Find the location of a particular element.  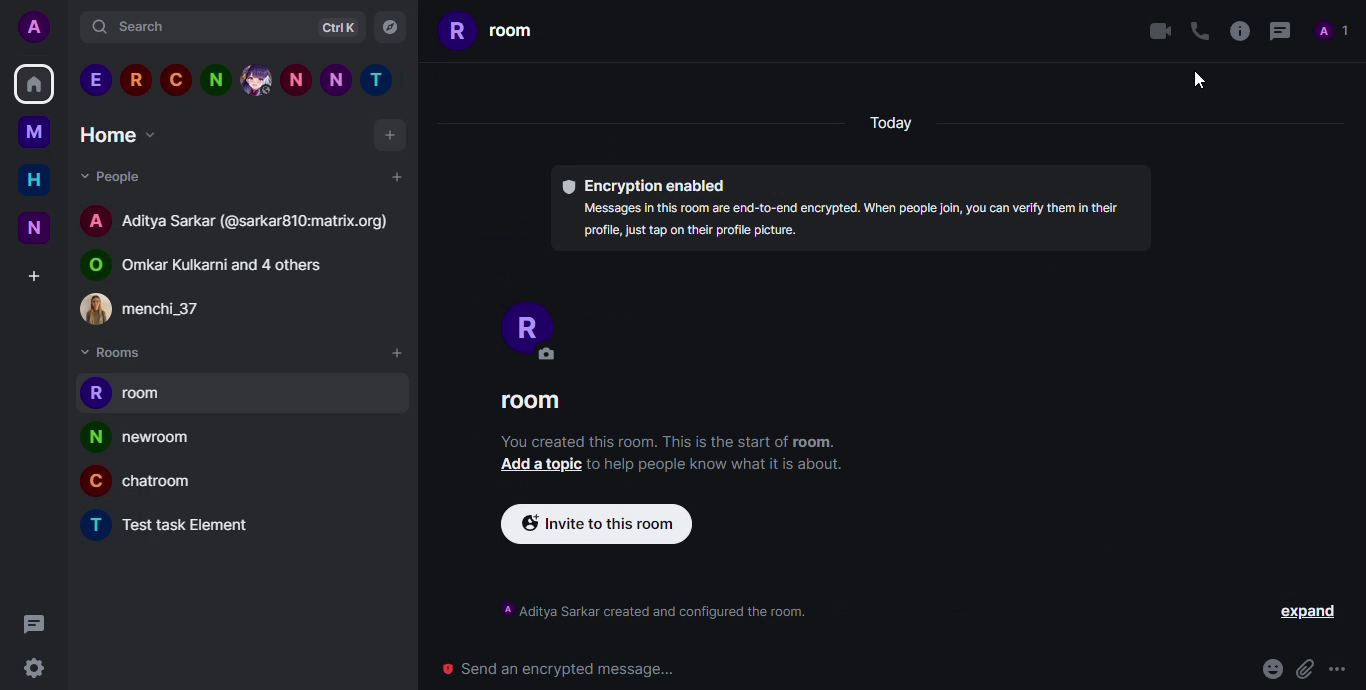

profile is located at coordinates (521, 320).